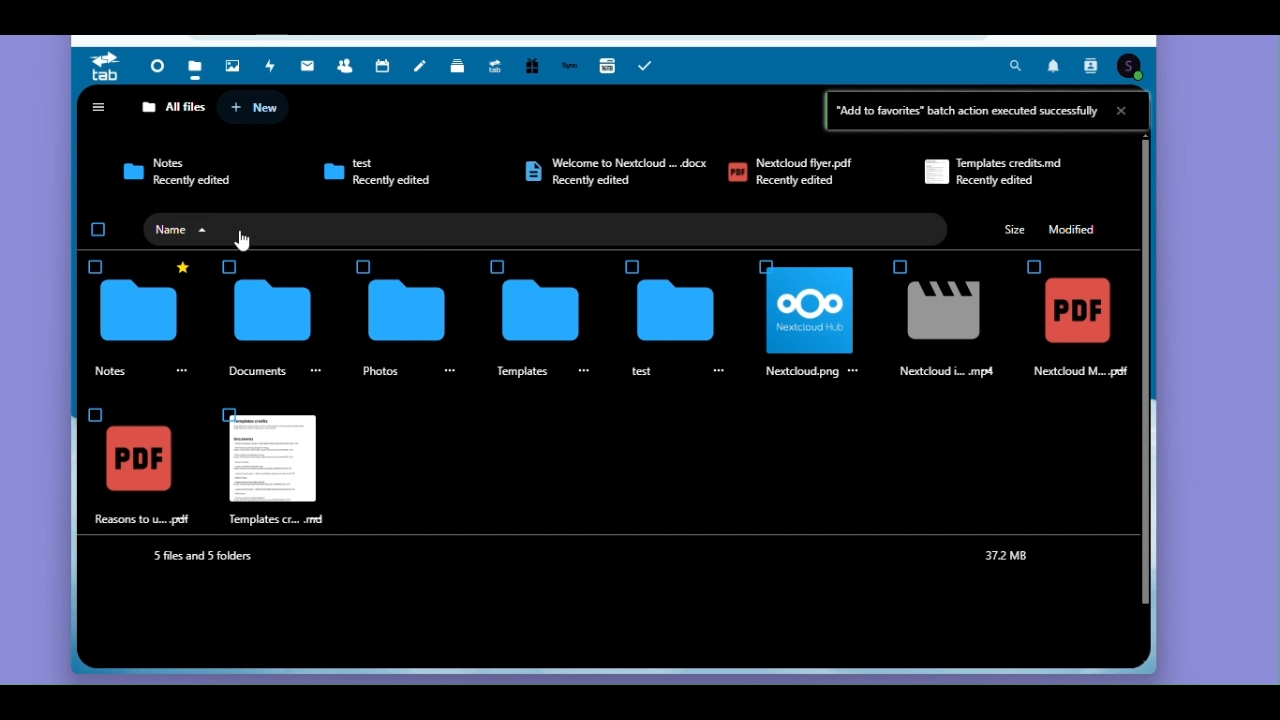  I want to click on Check Box, so click(1034, 266).